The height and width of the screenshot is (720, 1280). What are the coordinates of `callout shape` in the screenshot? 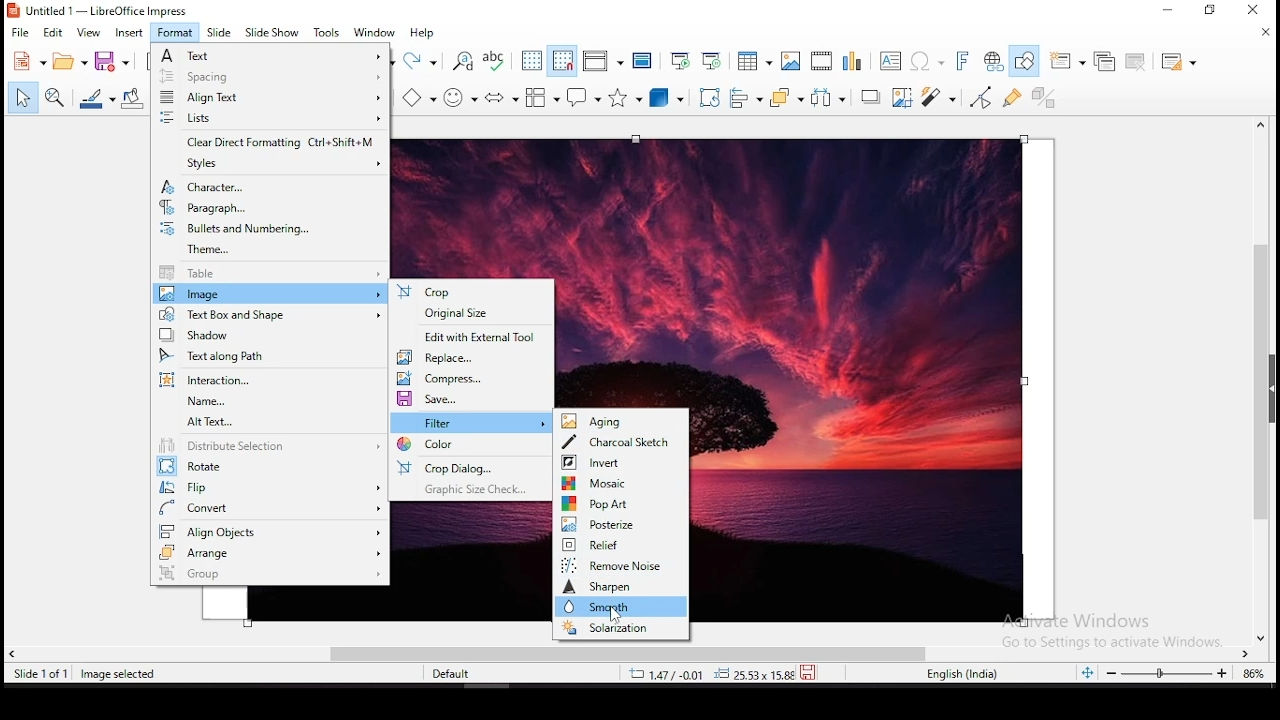 It's located at (584, 101).